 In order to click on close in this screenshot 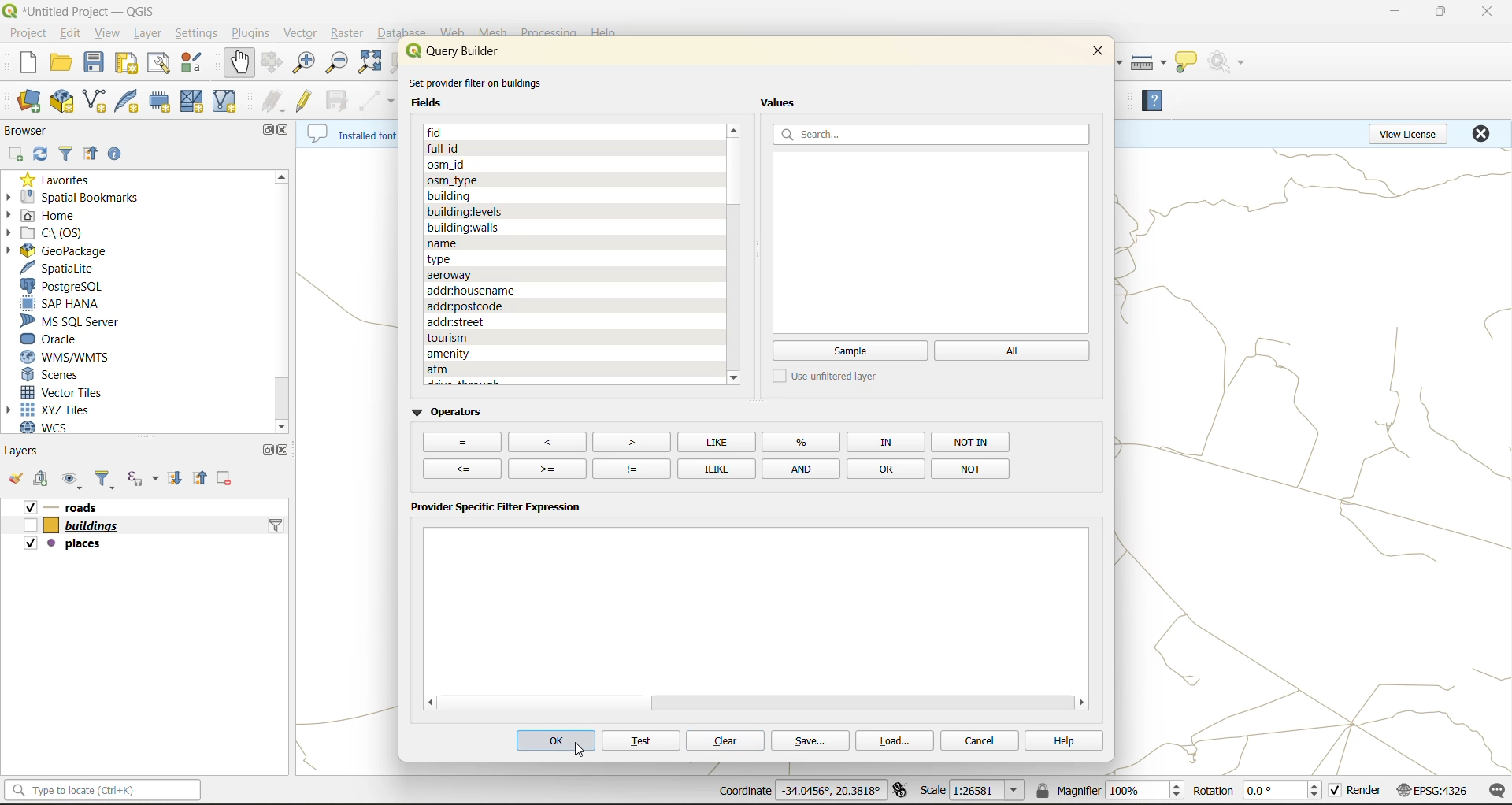, I will do `click(1094, 55)`.